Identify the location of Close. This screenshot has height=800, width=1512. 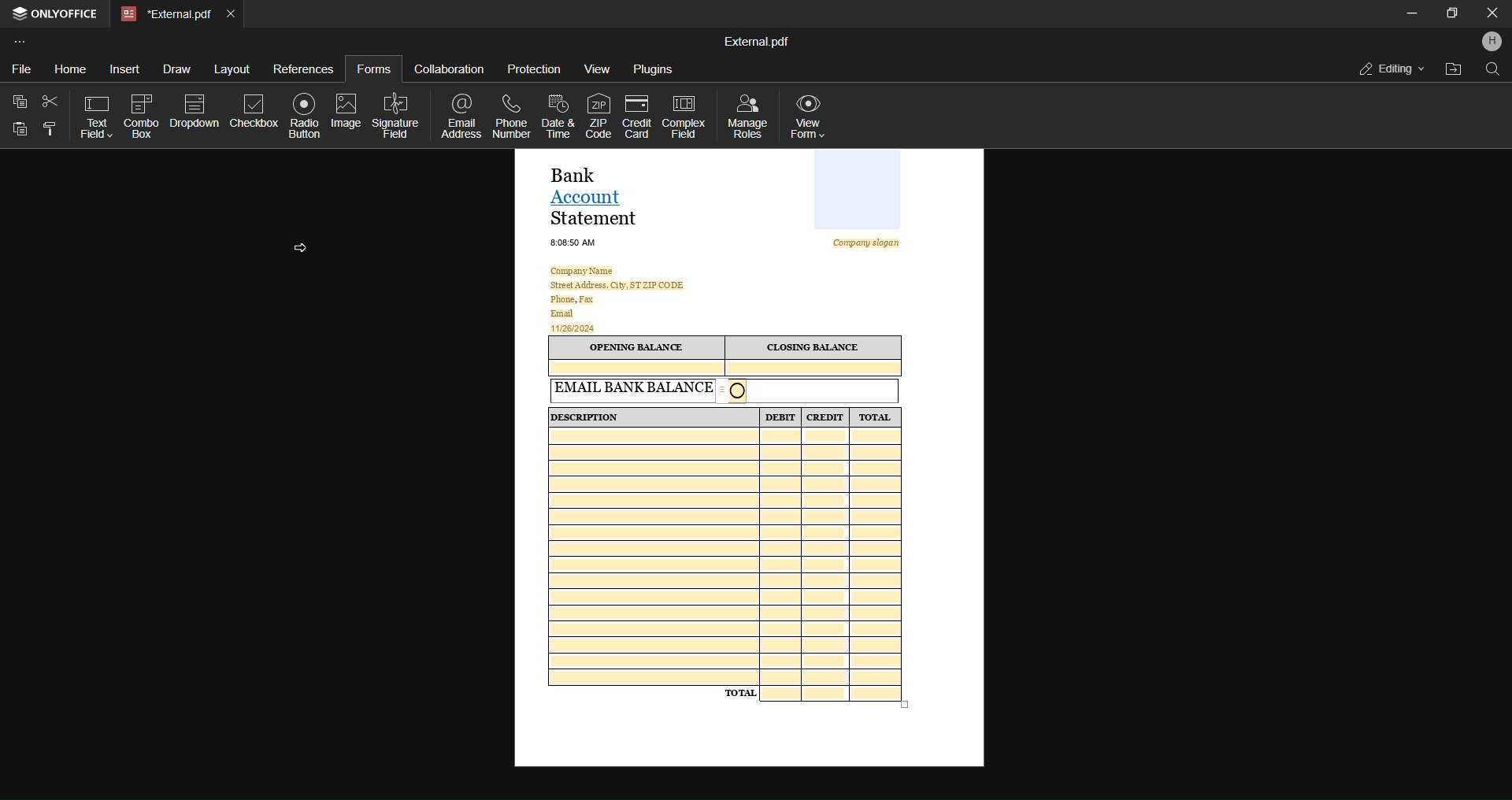
(1491, 14).